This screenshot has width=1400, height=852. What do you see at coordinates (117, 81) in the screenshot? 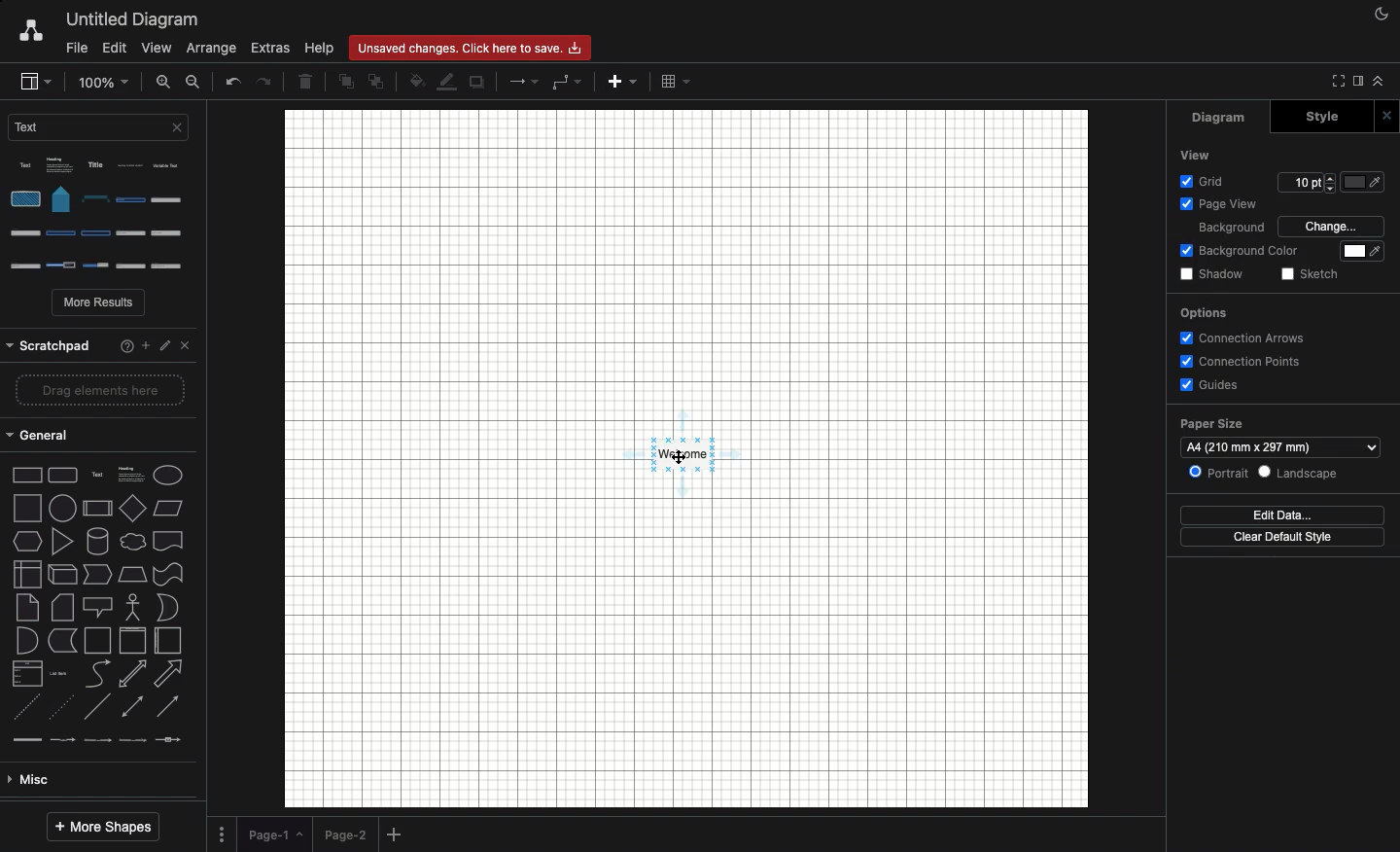
I see `Zoom` at bounding box center [117, 81].